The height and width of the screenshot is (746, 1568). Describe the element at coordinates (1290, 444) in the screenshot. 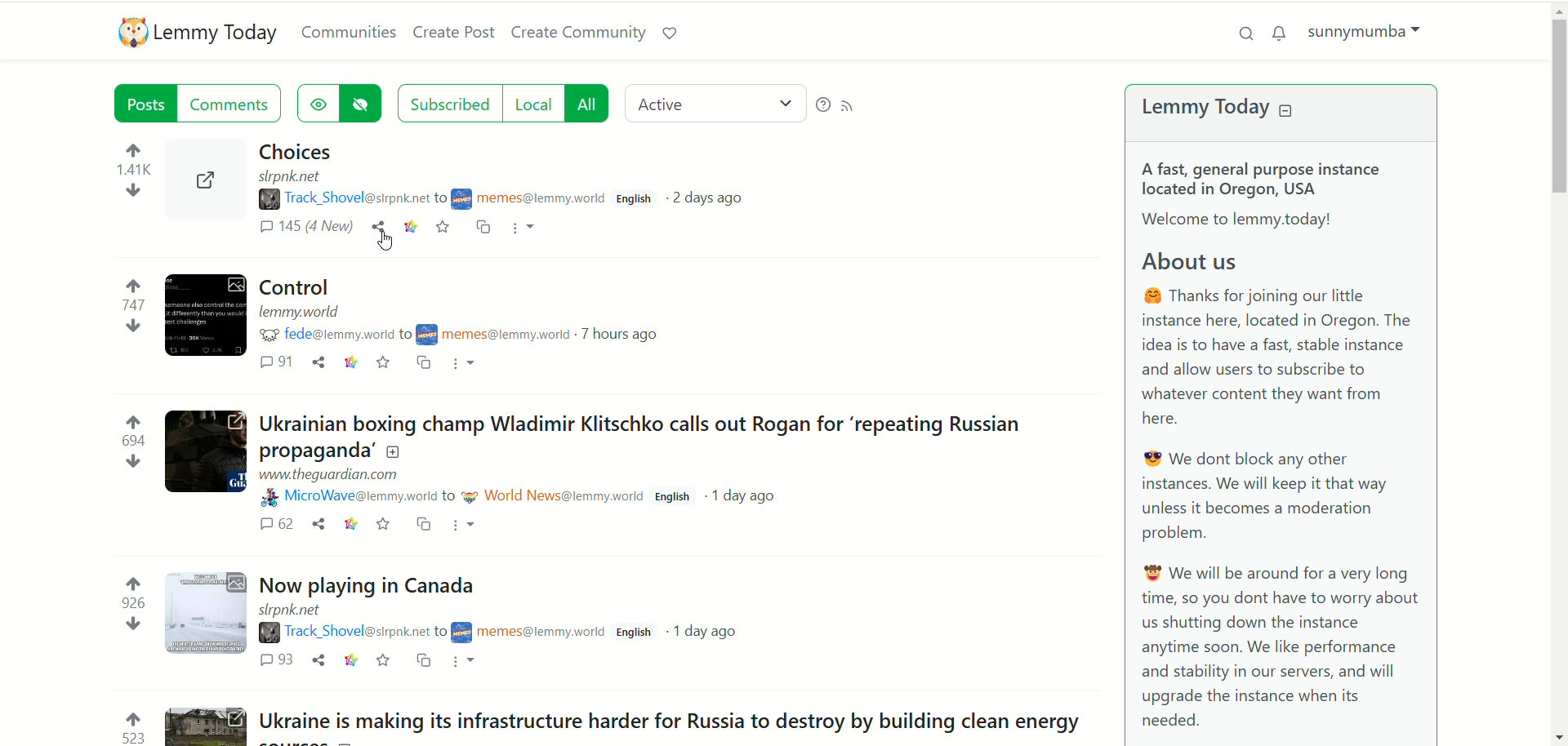

I see `A brief text about Lemmy Today` at that location.